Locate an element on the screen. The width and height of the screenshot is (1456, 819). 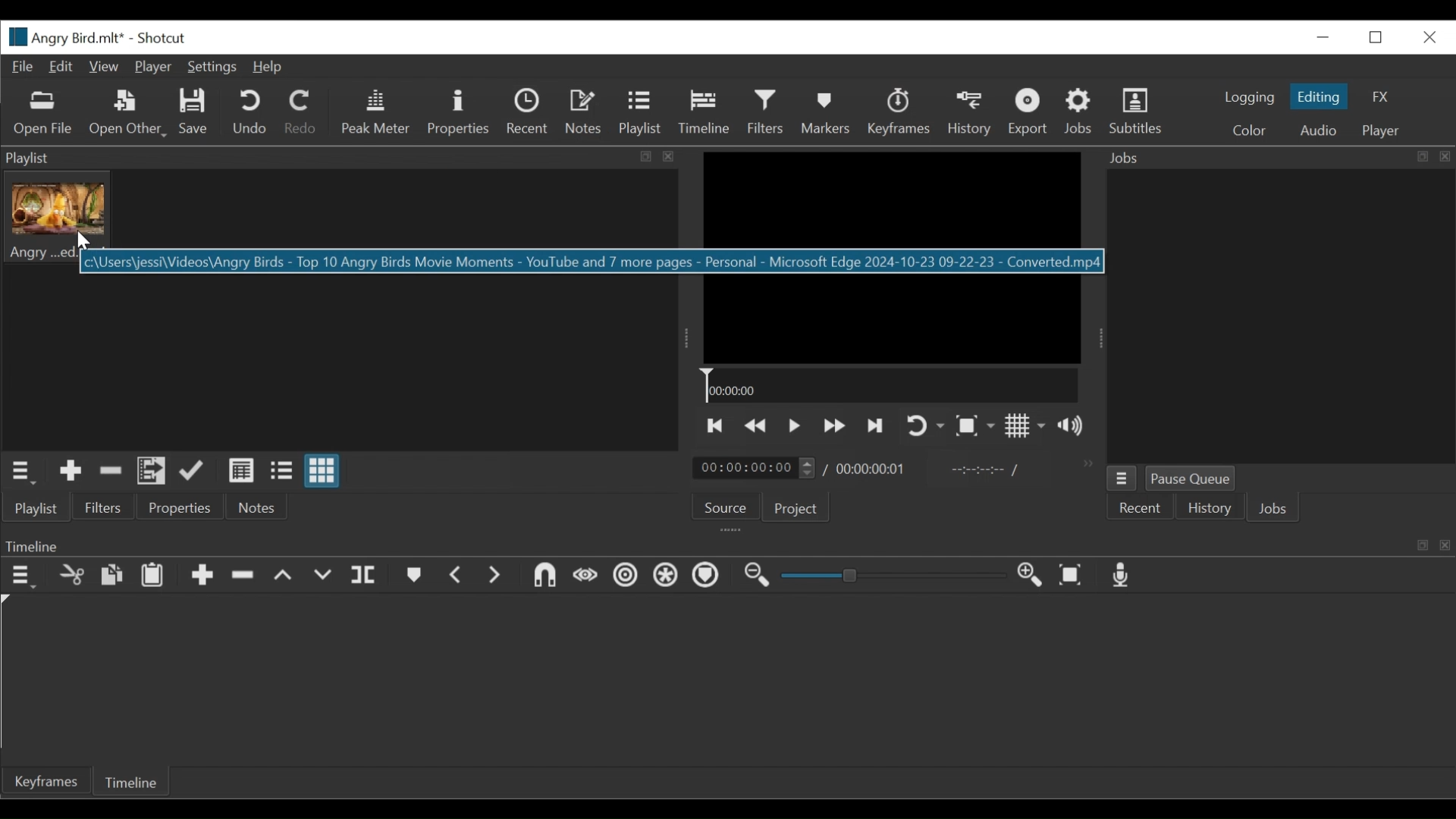
History is located at coordinates (1210, 510).